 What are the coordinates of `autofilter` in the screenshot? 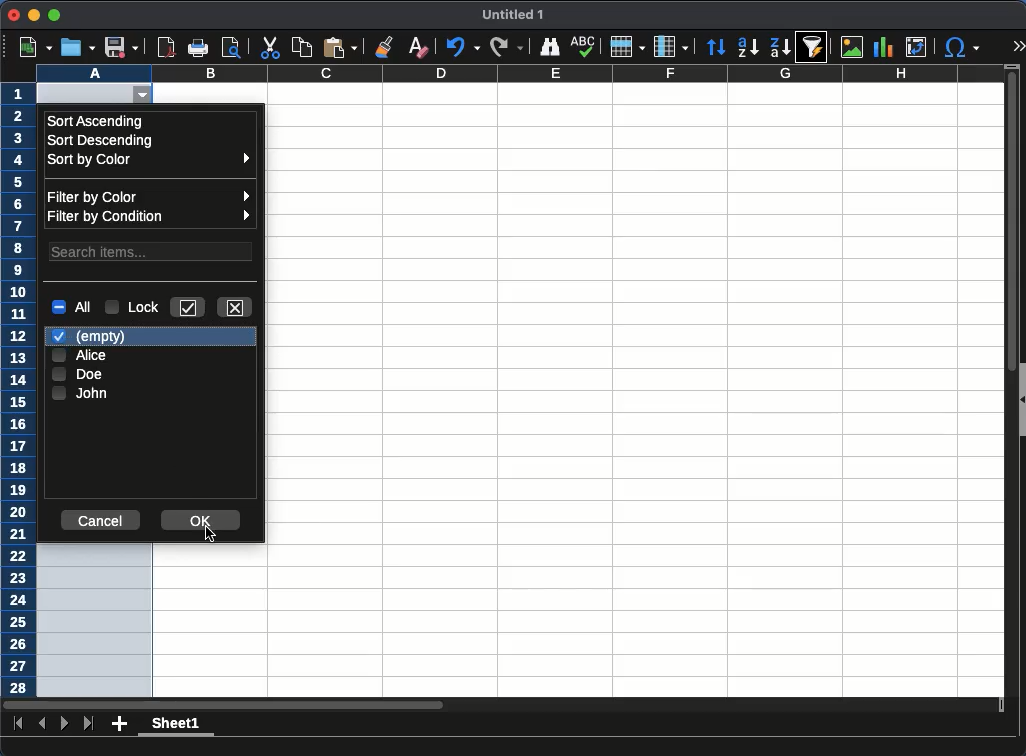 It's located at (147, 96).